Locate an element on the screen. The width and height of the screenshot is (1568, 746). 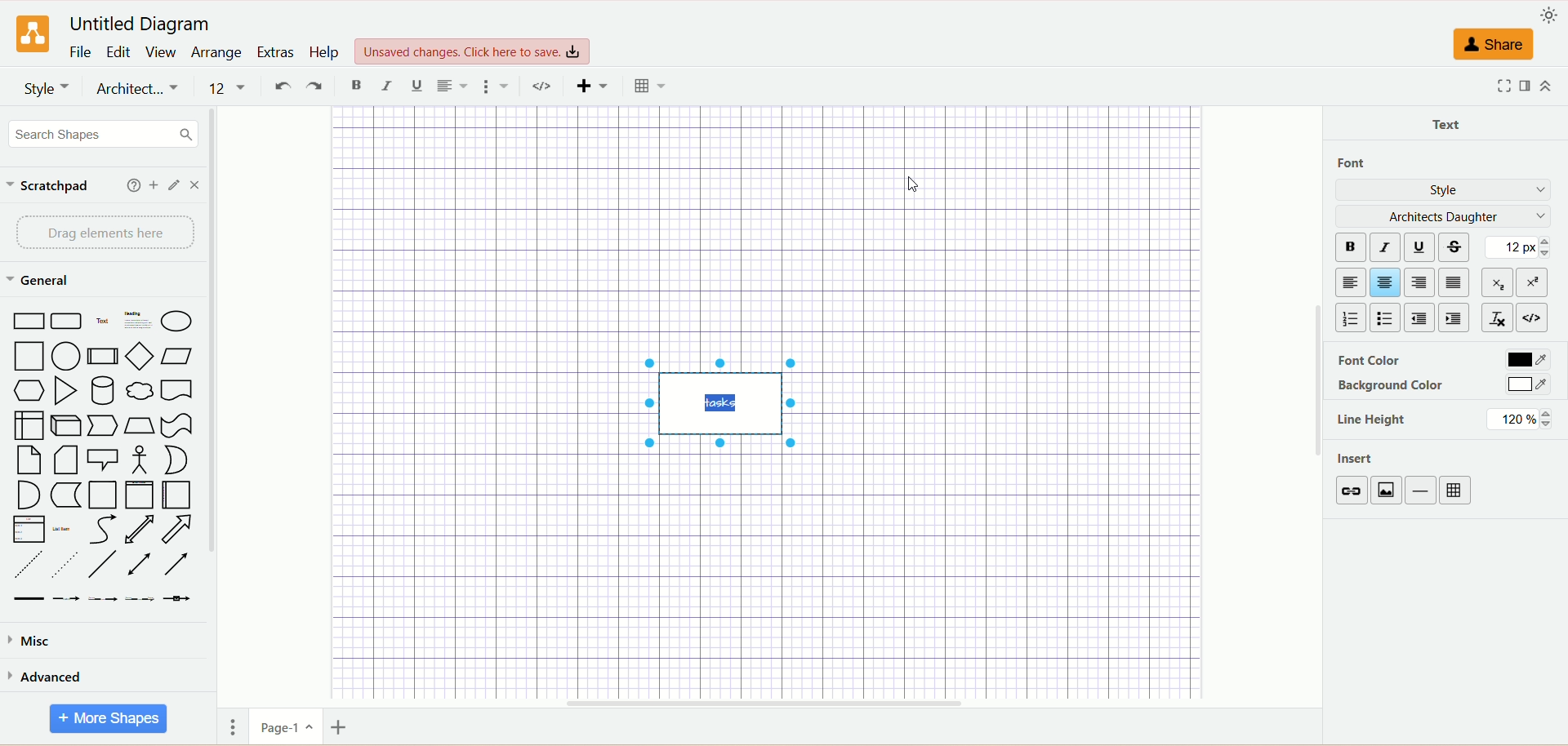
Font Size 12 is located at coordinates (229, 89).